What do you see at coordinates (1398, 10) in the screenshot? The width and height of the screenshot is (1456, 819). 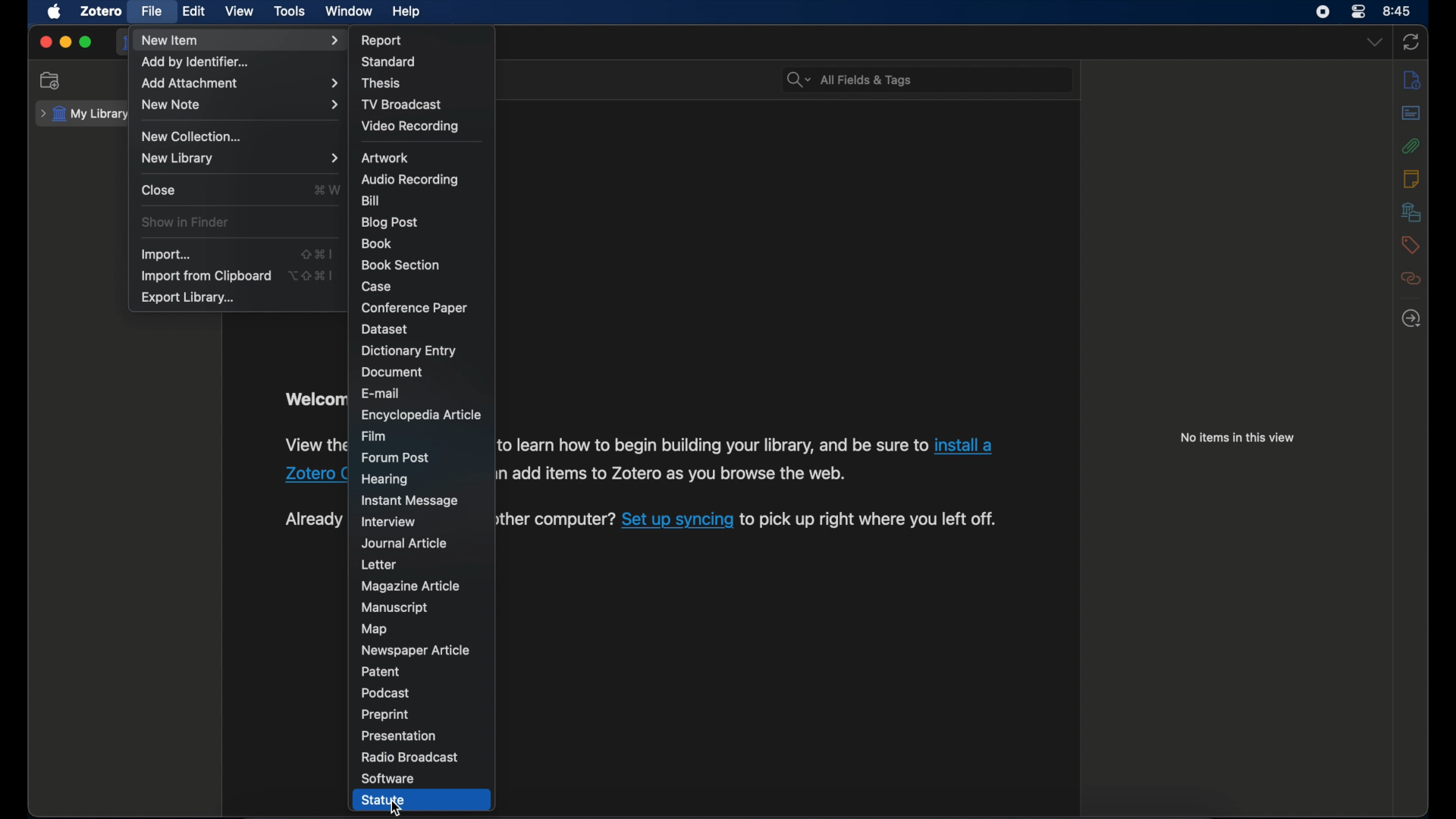 I see `8.45` at bounding box center [1398, 10].